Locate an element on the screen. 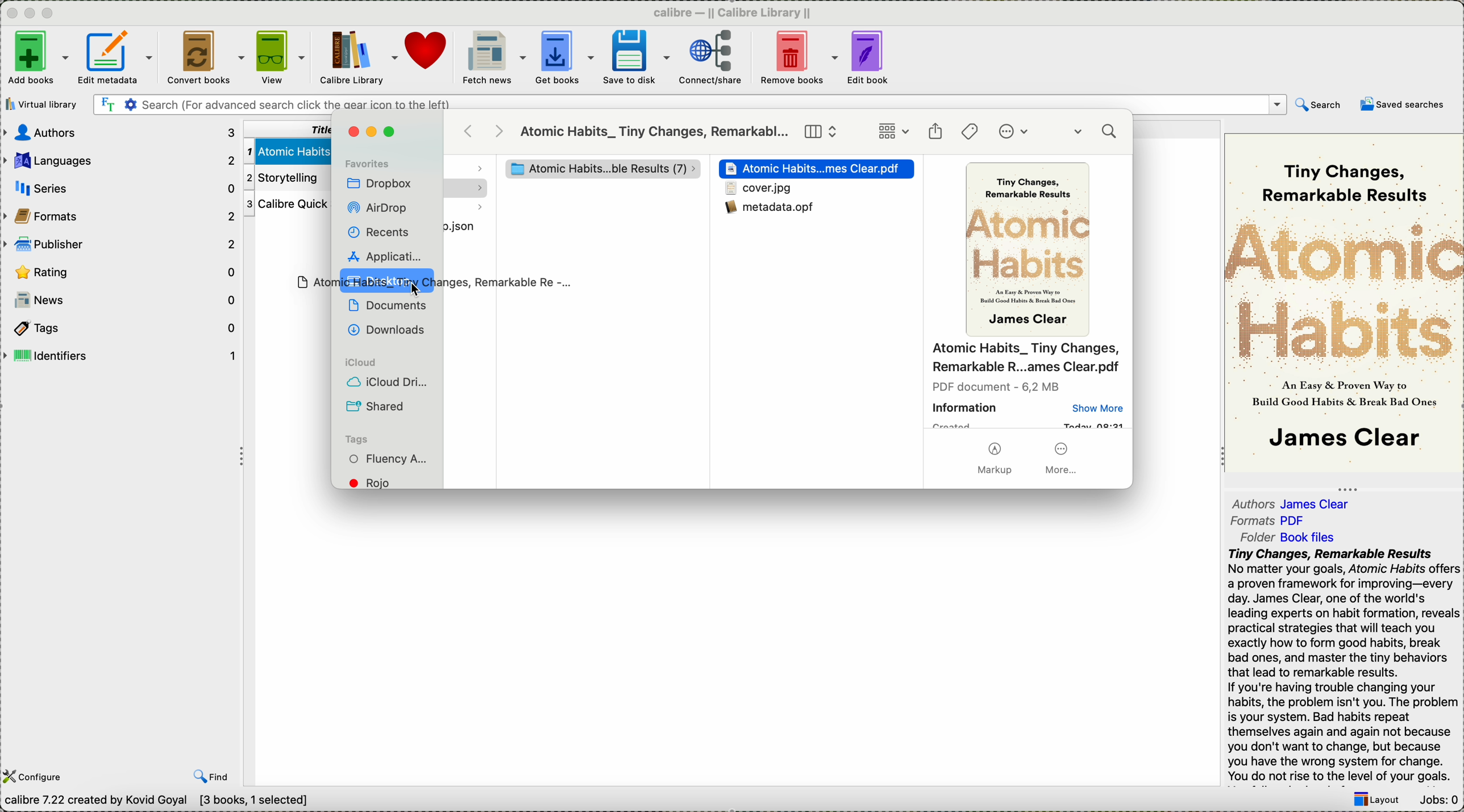 The width and height of the screenshot is (1464, 812). view is located at coordinates (281, 58).